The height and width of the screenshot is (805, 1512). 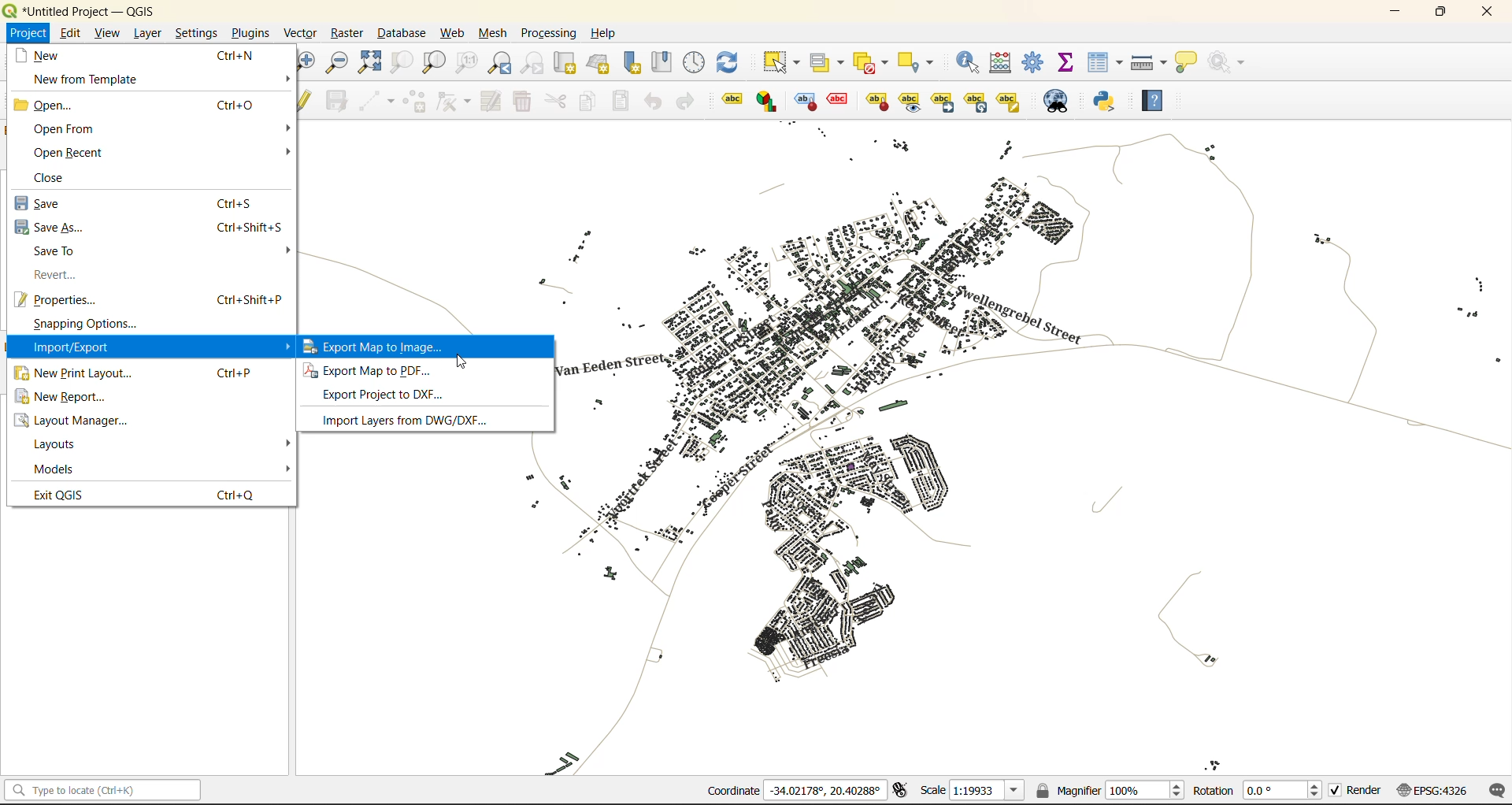 I want to click on select value, so click(x=828, y=59).